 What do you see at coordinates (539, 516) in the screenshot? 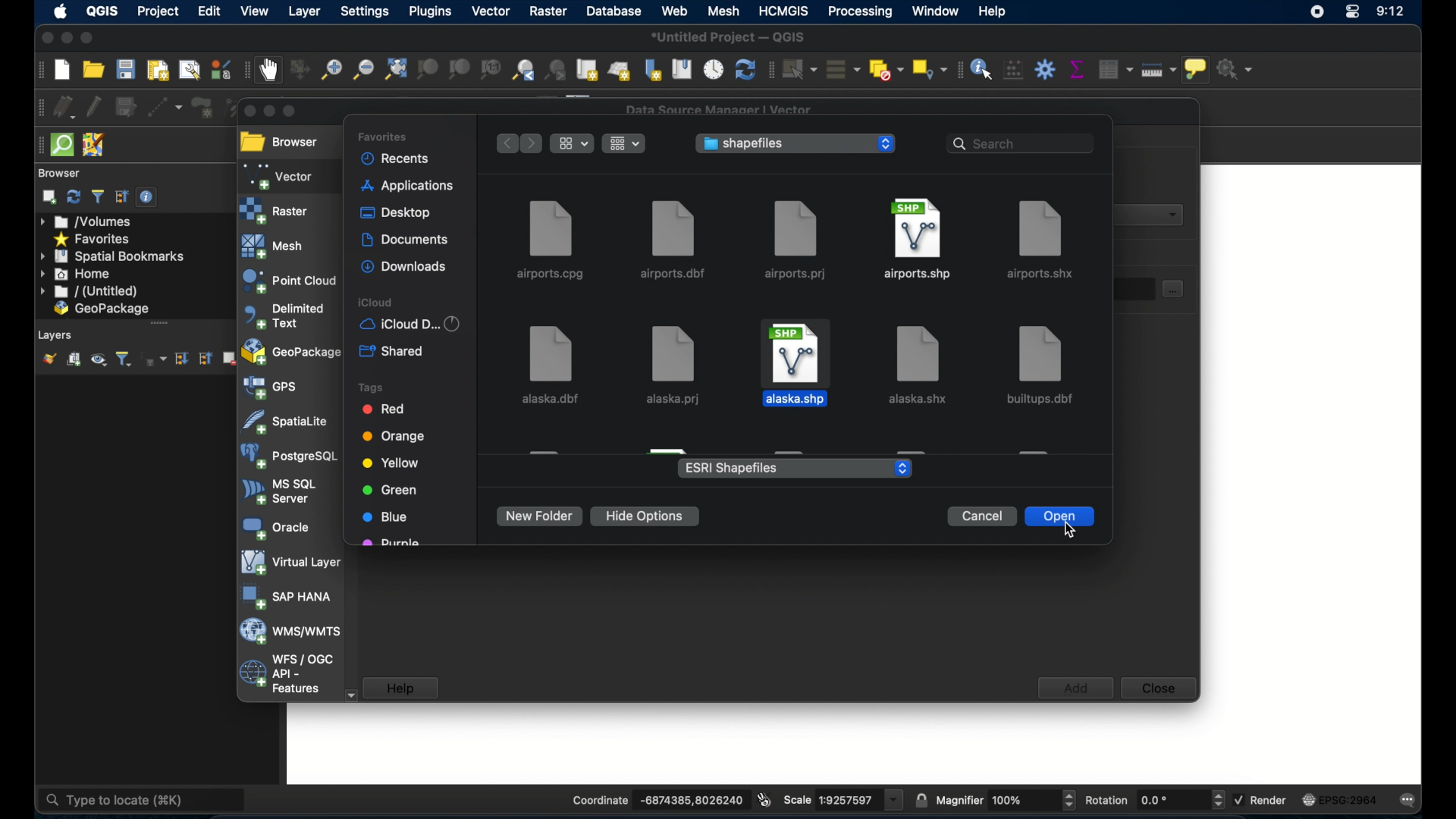
I see `new folder` at bounding box center [539, 516].